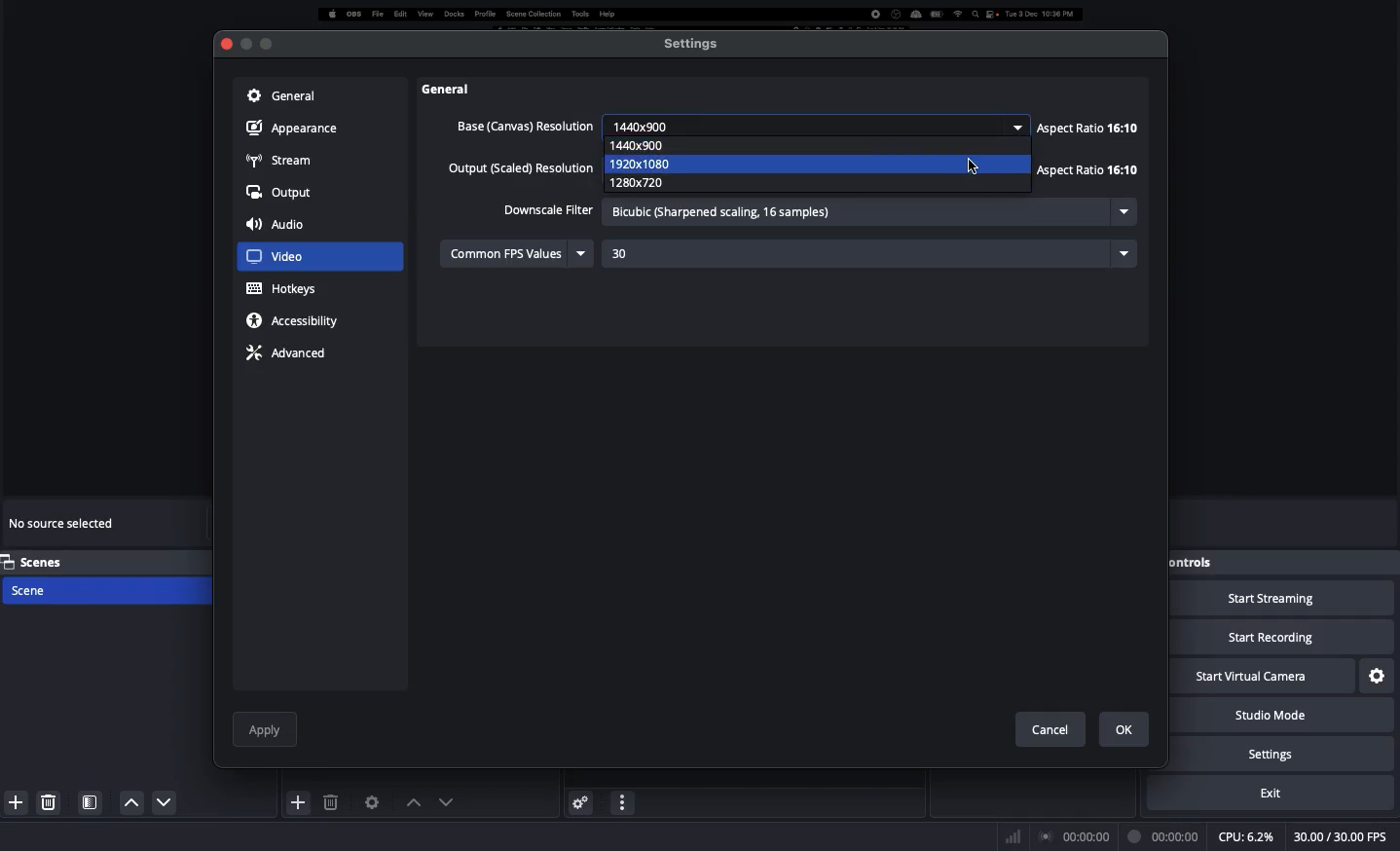 This screenshot has height=851, width=1400. Describe the element at coordinates (1291, 716) in the screenshot. I see `Studio mode` at that location.